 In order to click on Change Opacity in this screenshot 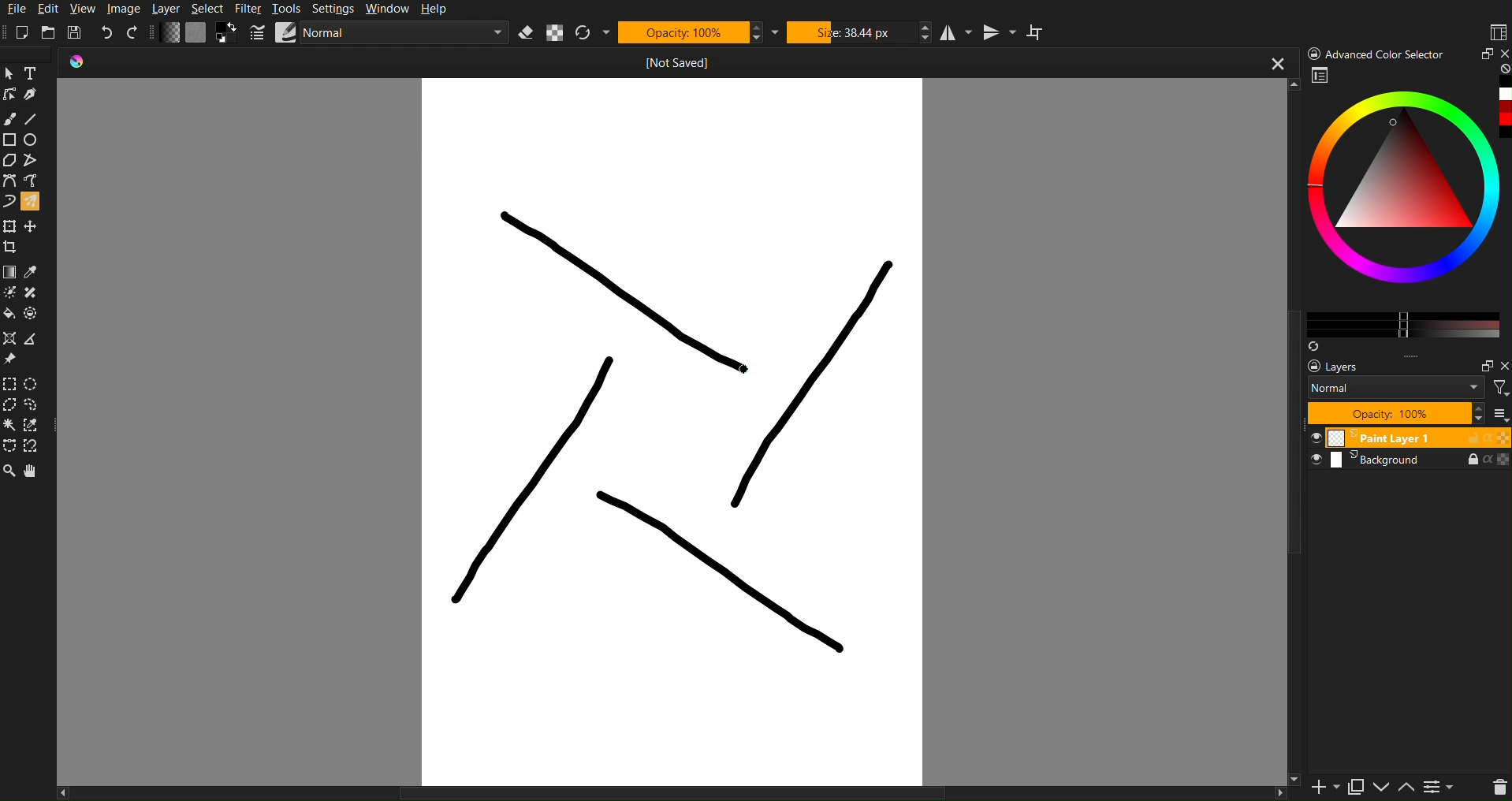, I will do `click(170, 33)`.